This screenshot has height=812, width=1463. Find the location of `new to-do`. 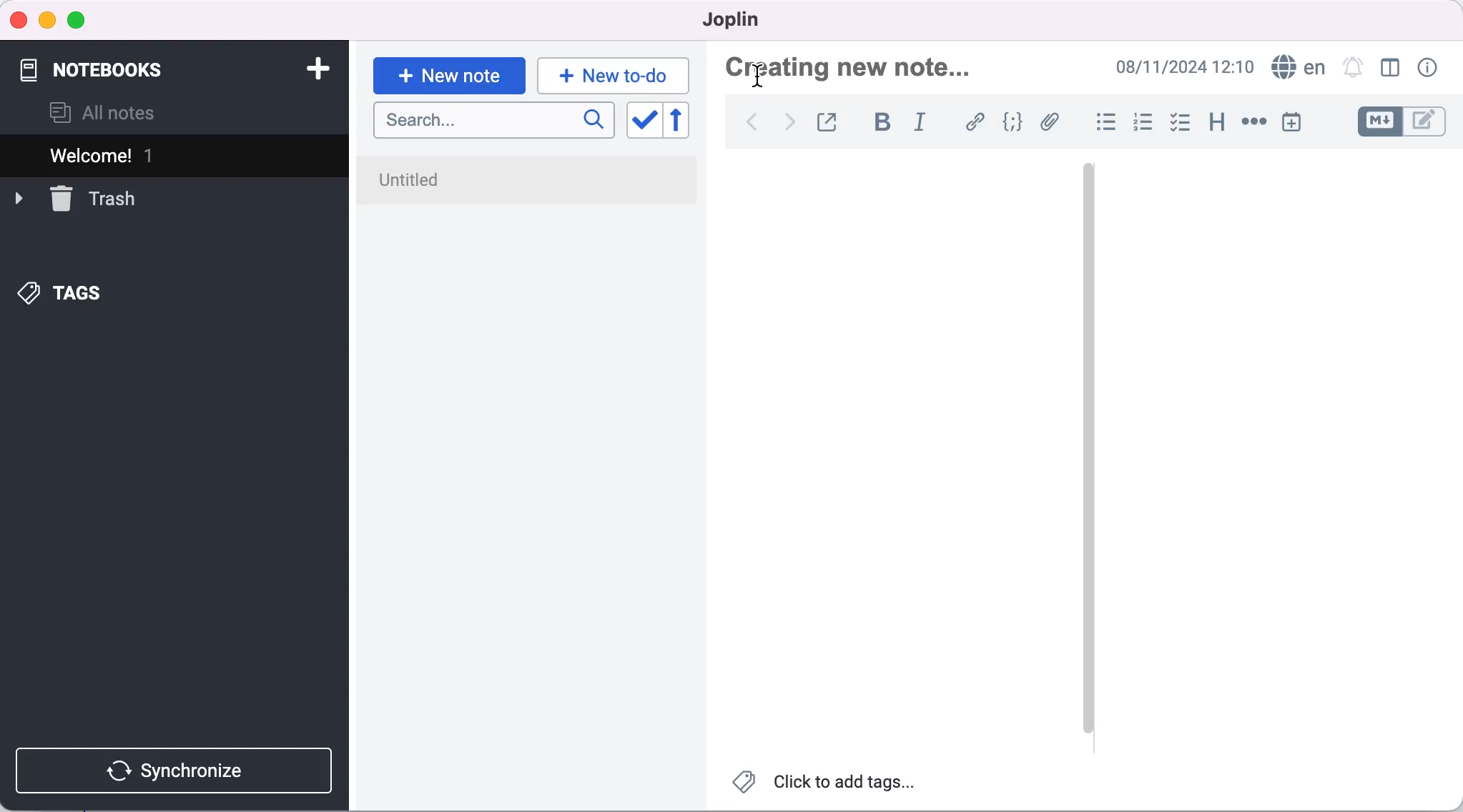

new to-do is located at coordinates (617, 75).